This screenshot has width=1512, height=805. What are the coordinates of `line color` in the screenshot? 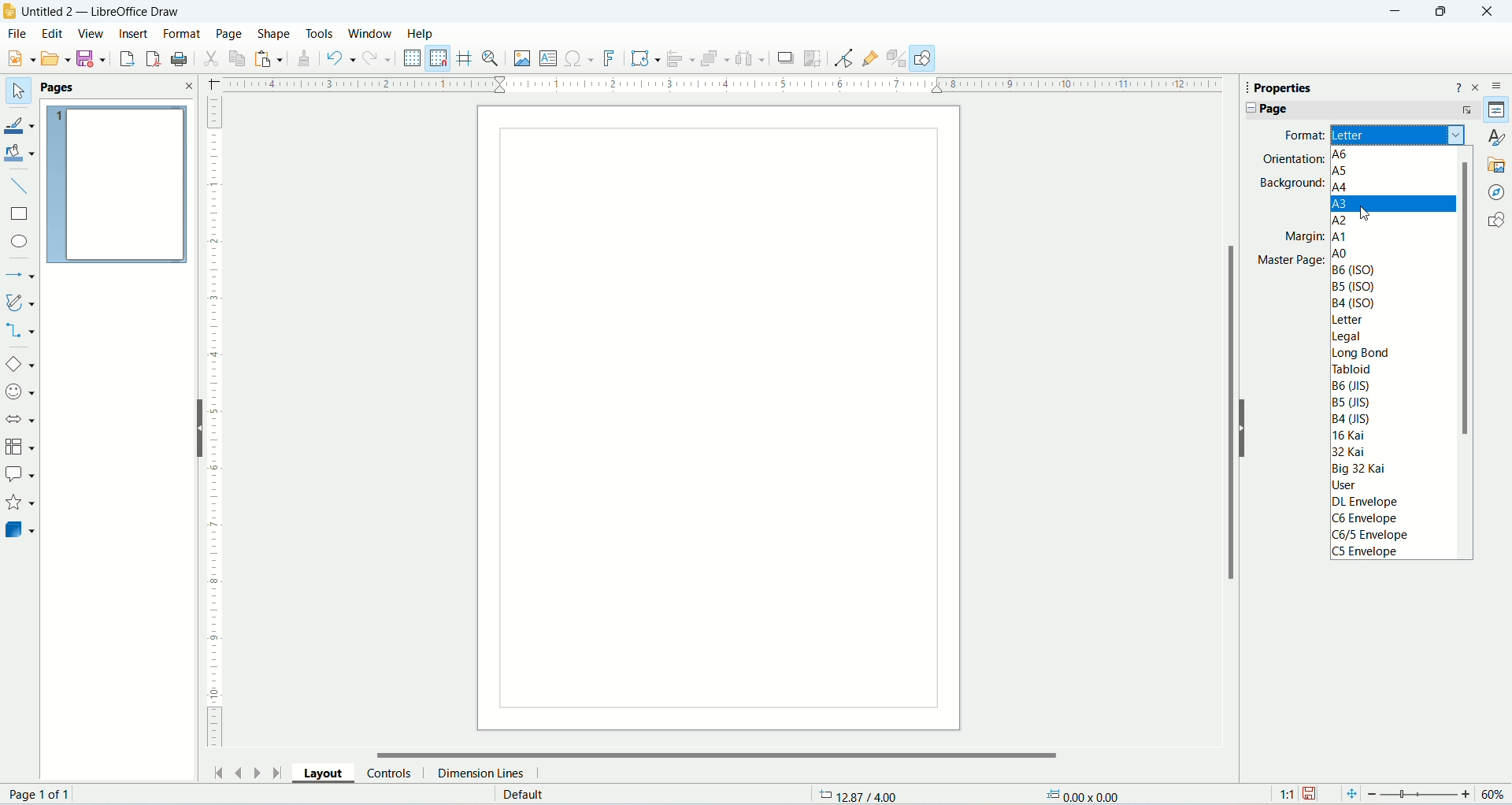 It's located at (20, 122).